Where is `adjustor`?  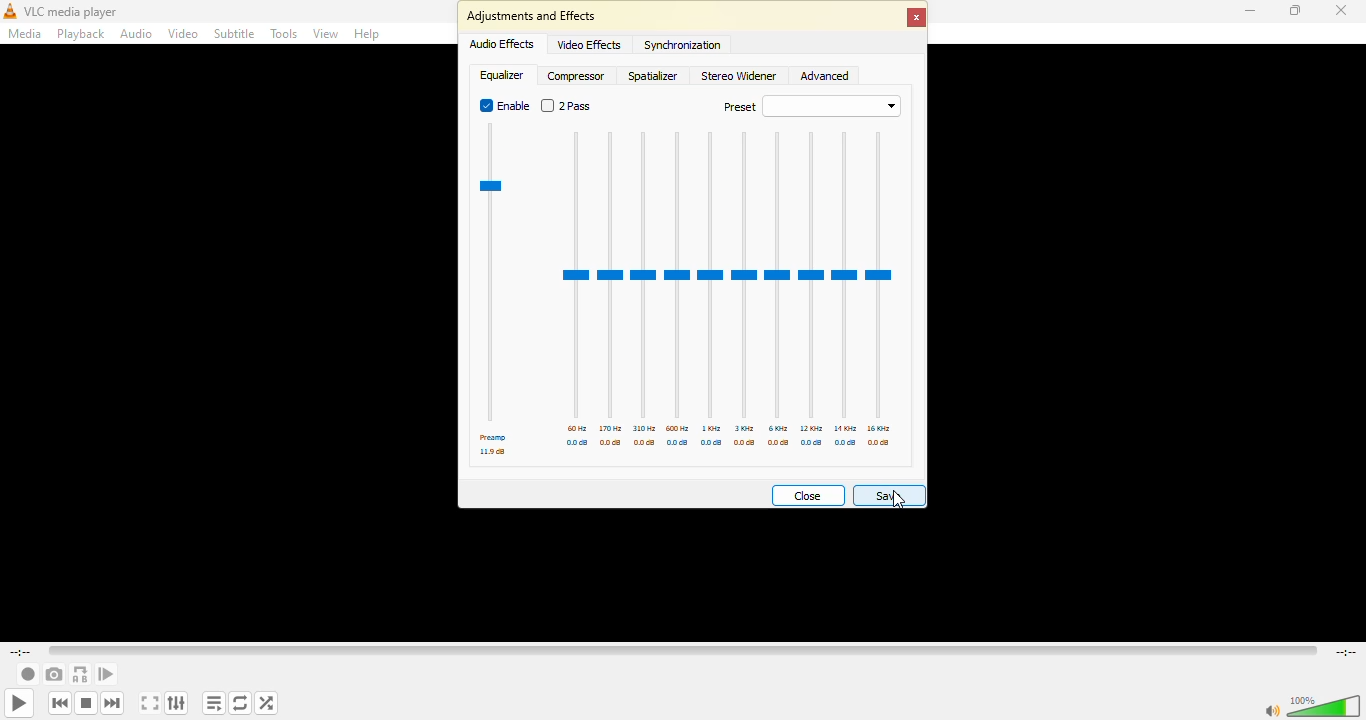 adjustor is located at coordinates (576, 276).